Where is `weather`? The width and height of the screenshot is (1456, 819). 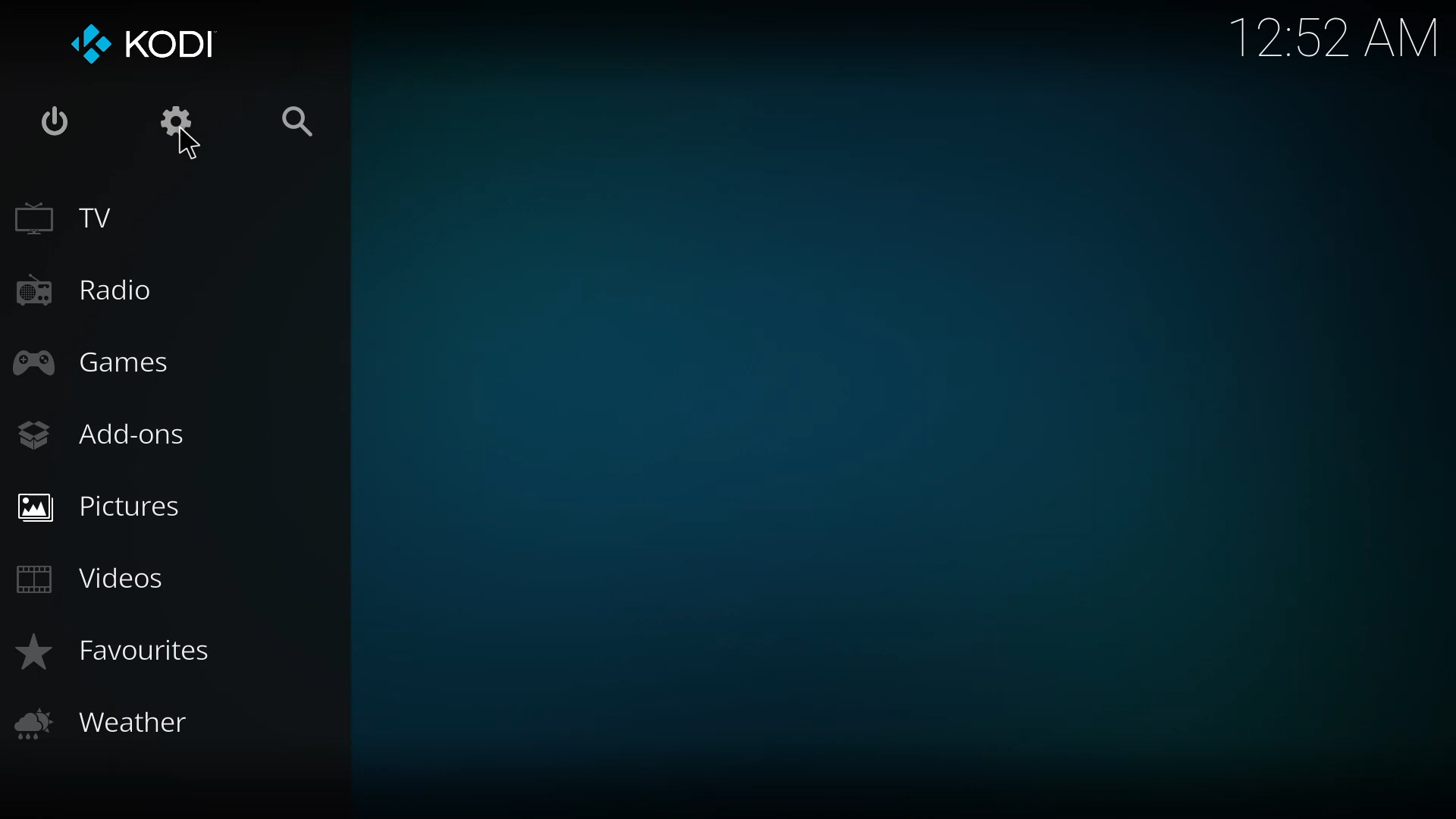 weather is located at coordinates (108, 722).